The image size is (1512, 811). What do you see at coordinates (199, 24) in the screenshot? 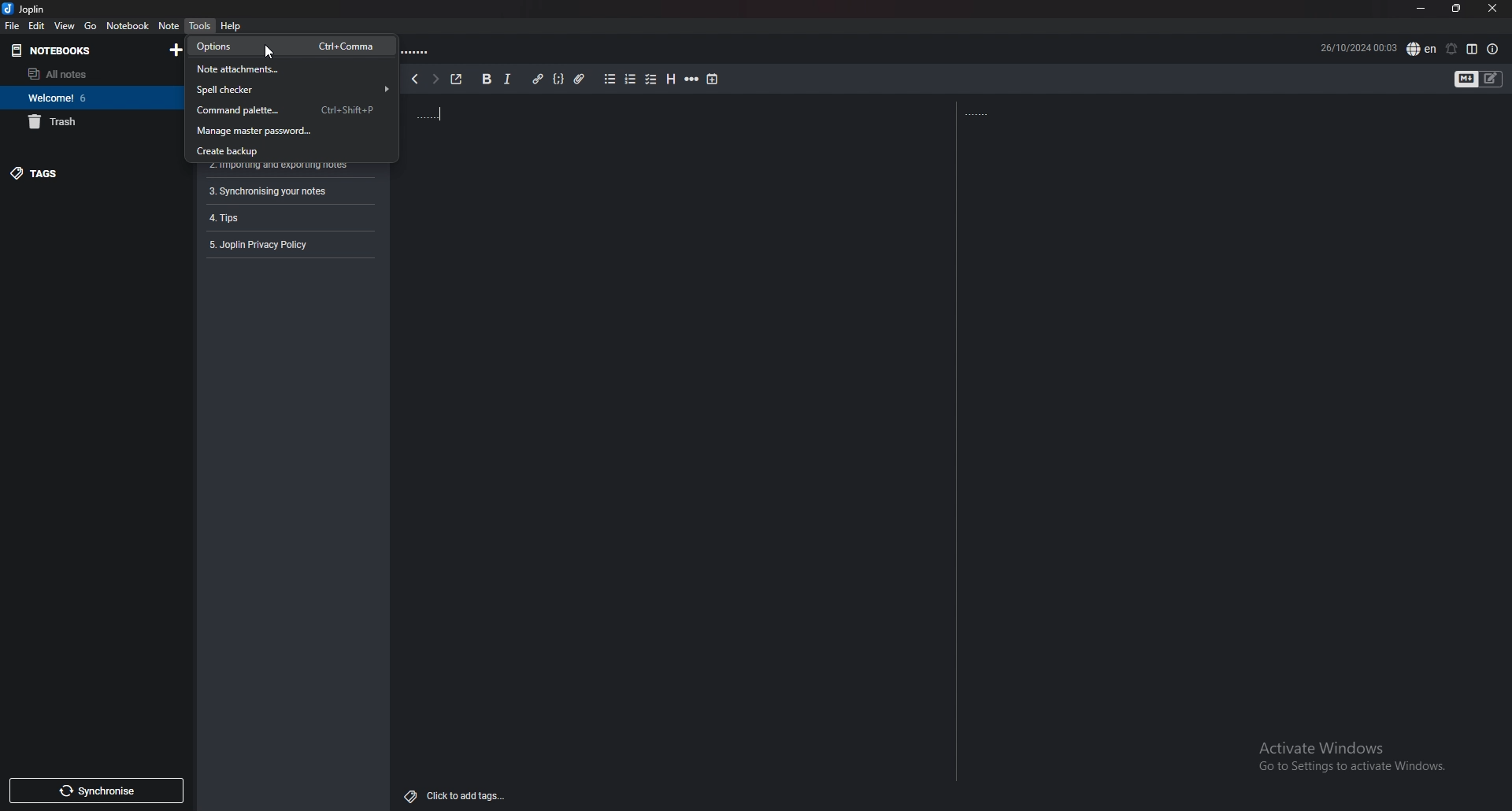
I see `tools` at bounding box center [199, 24].